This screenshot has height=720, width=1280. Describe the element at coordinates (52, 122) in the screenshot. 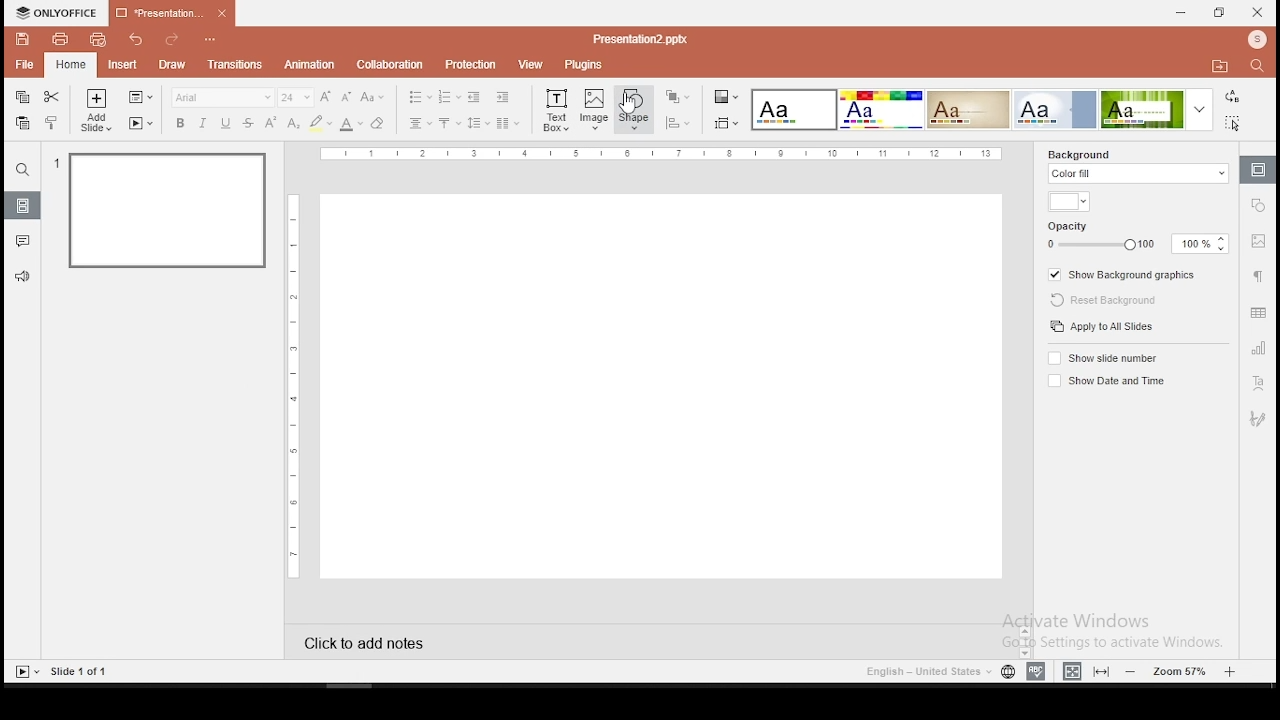

I see `clone formatting` at that location.